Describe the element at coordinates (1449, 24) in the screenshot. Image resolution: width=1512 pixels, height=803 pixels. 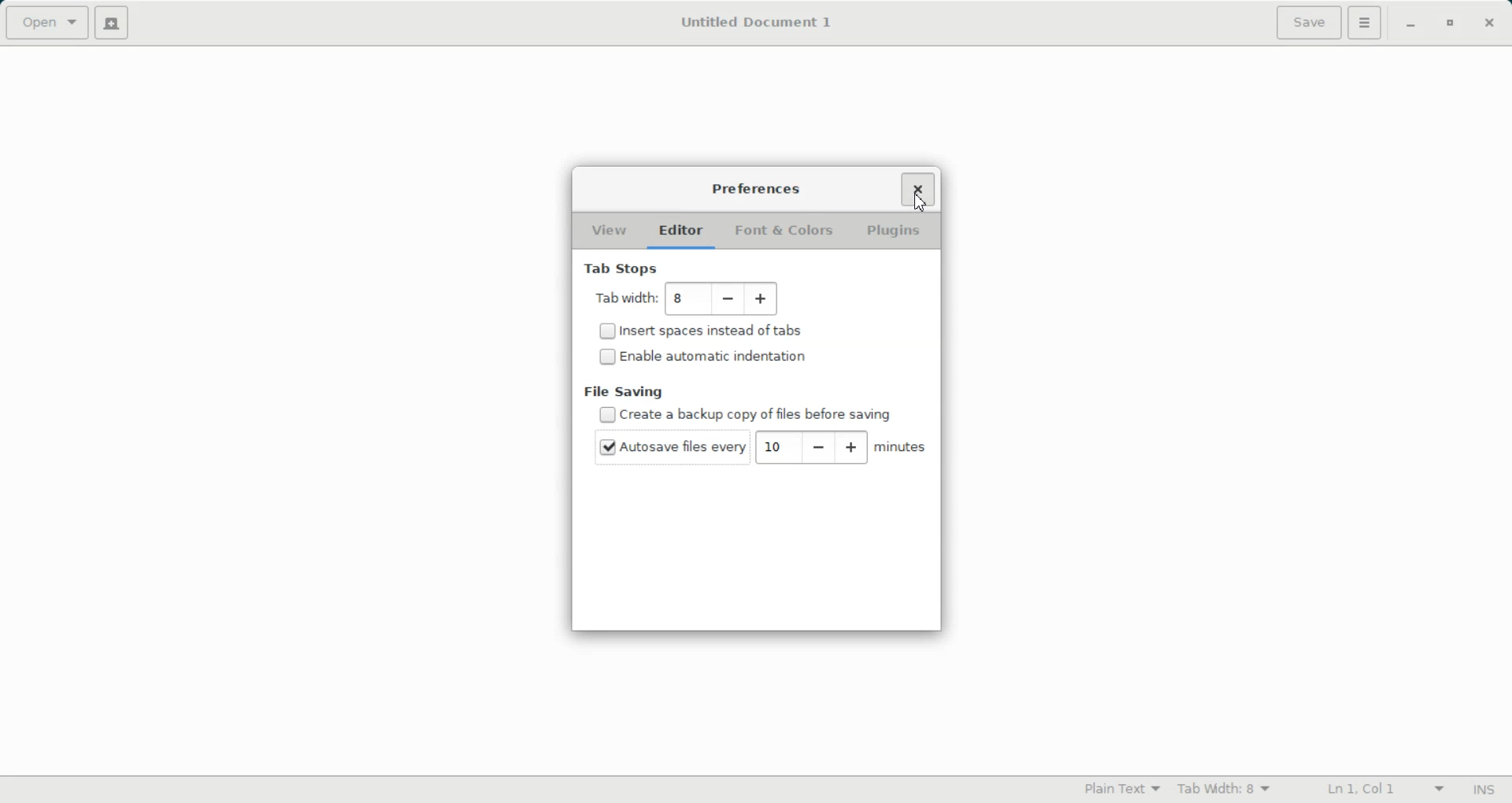
I see `Maximize` at that location.